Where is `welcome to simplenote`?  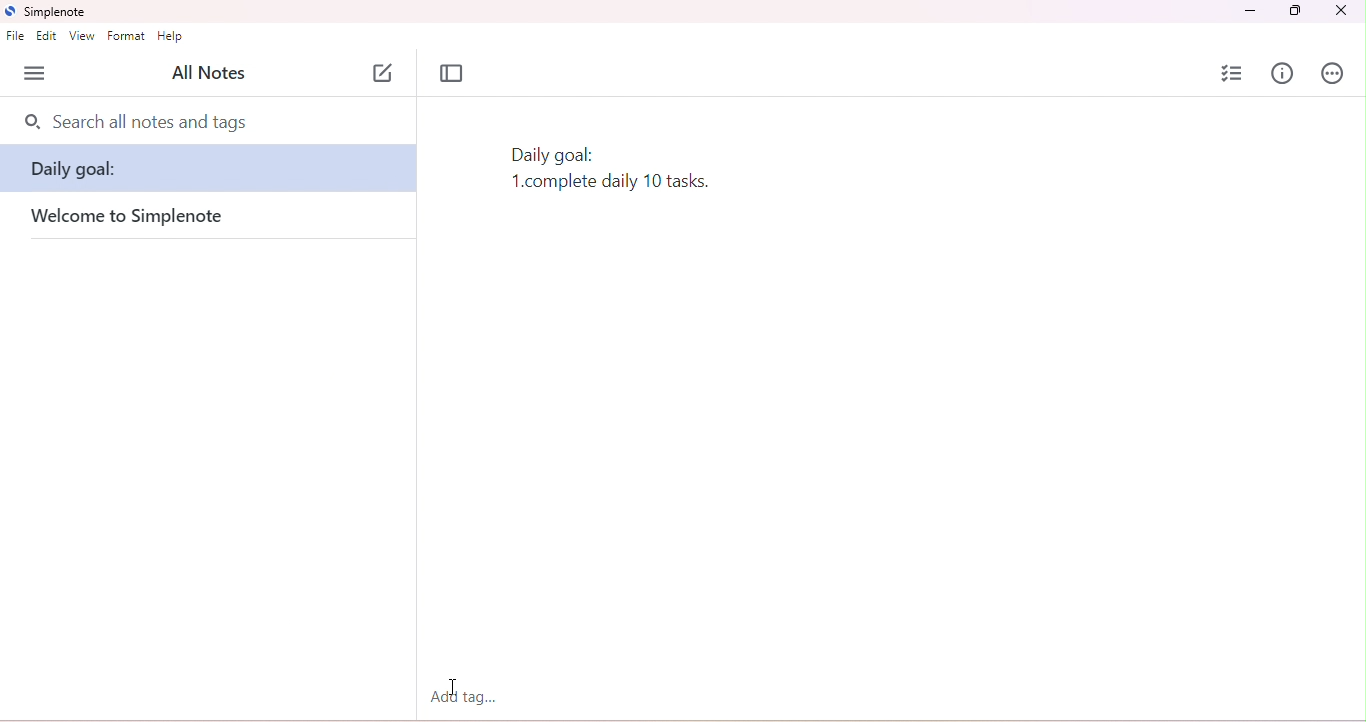
welcome to simplenote is located at coordinates (152, 218).